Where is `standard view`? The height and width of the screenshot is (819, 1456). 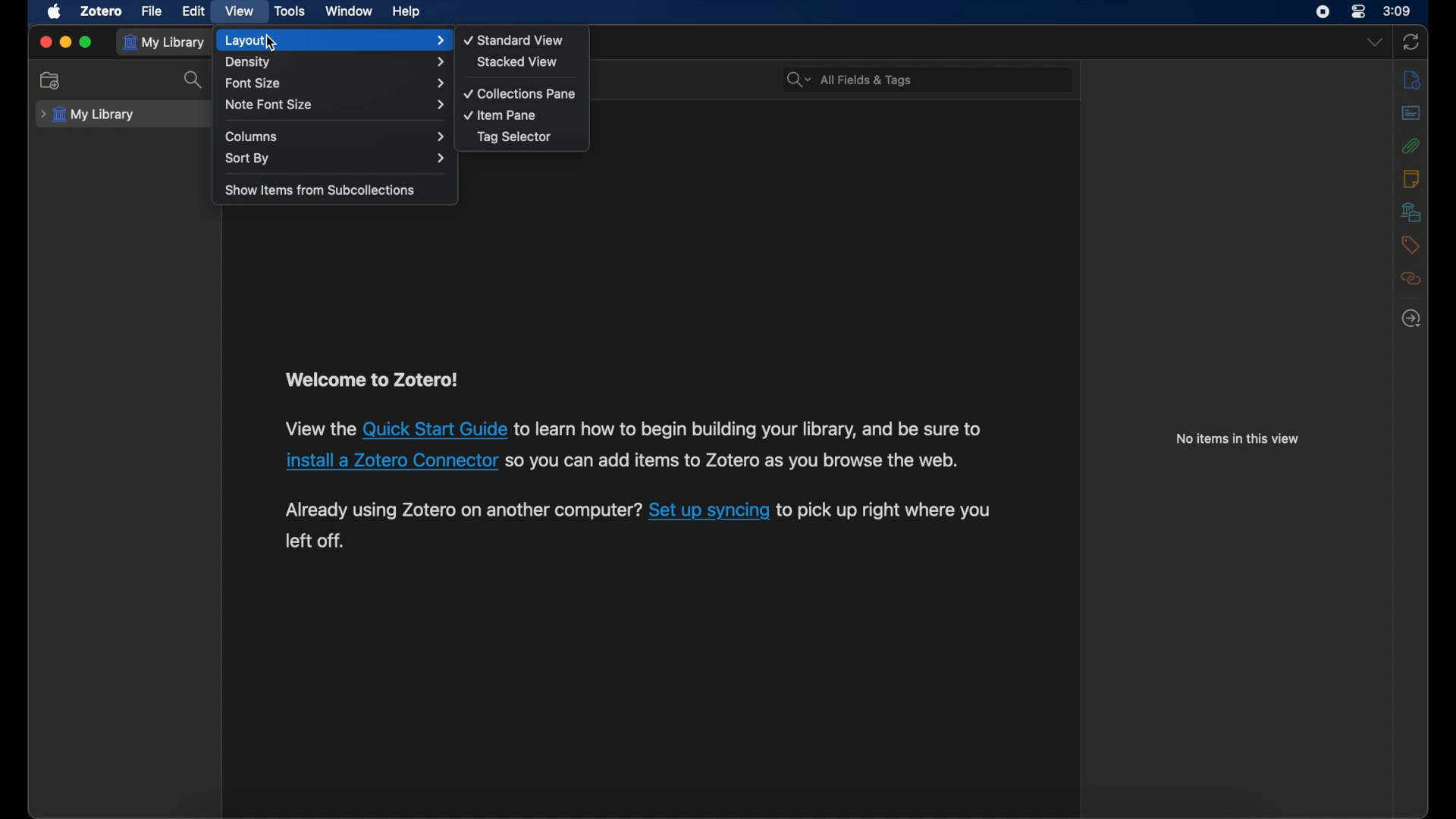
standard view is located at coordinates (515, 39).